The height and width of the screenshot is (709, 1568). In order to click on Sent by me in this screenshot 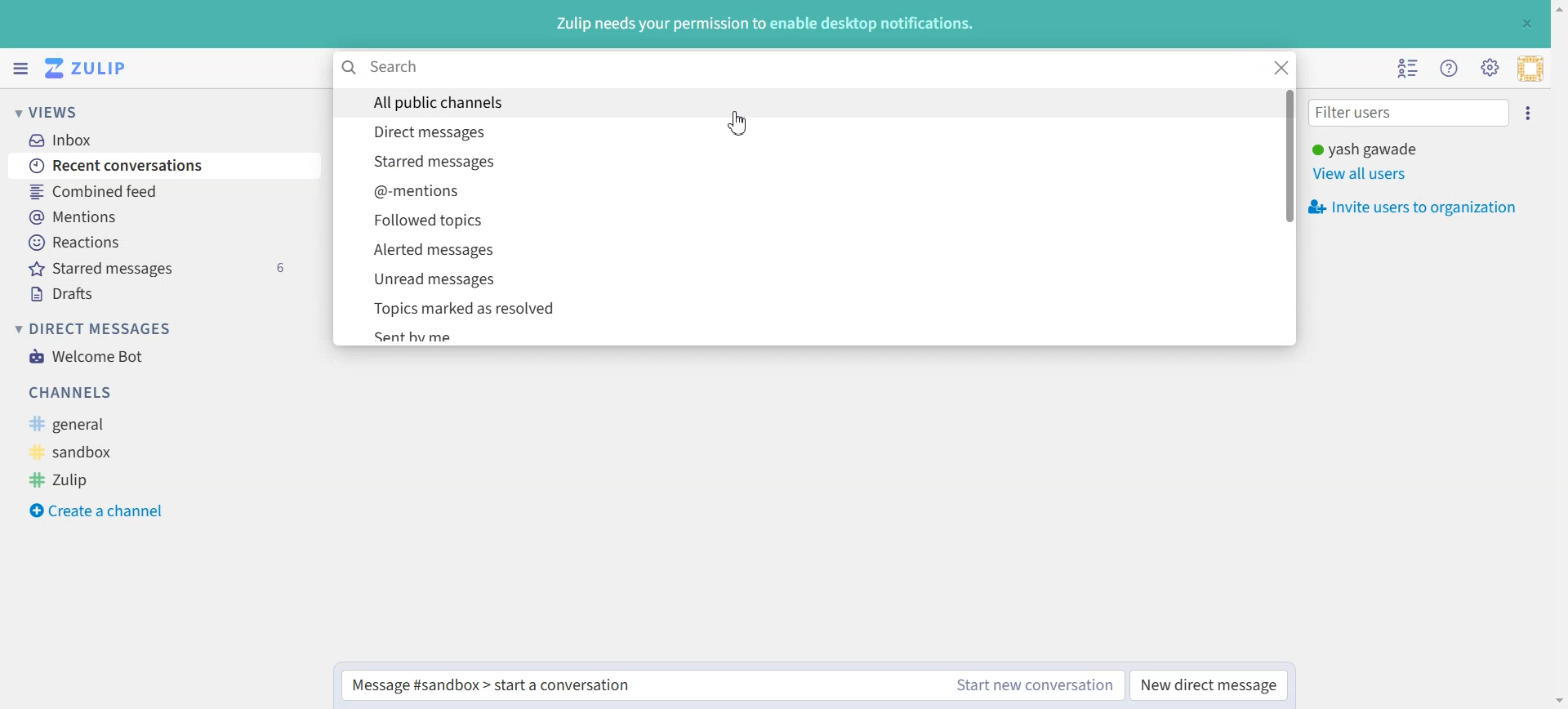, I will do `click(800, 333)`.